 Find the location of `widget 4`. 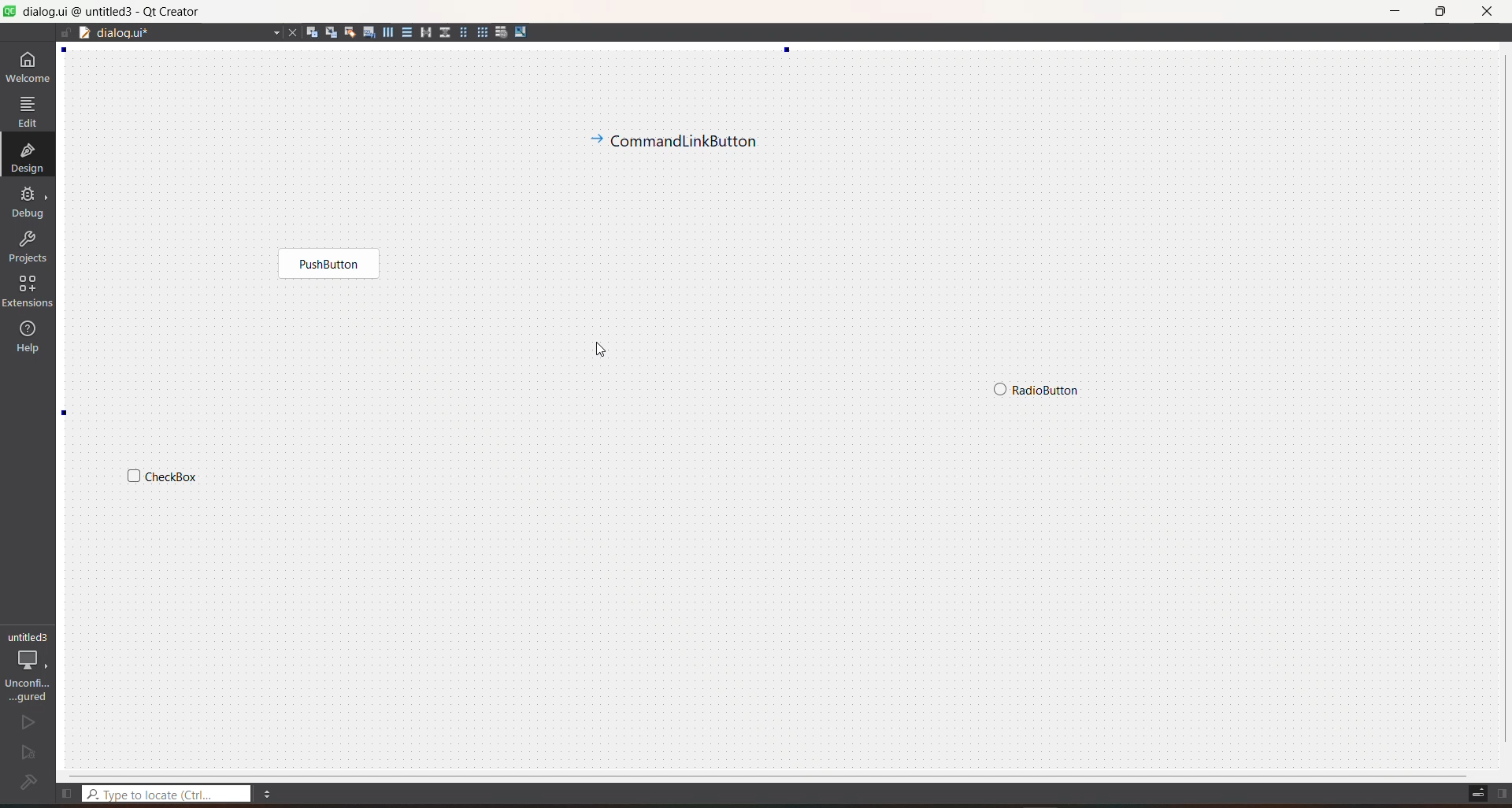

widget 4 is located at coordinates (689, 143).